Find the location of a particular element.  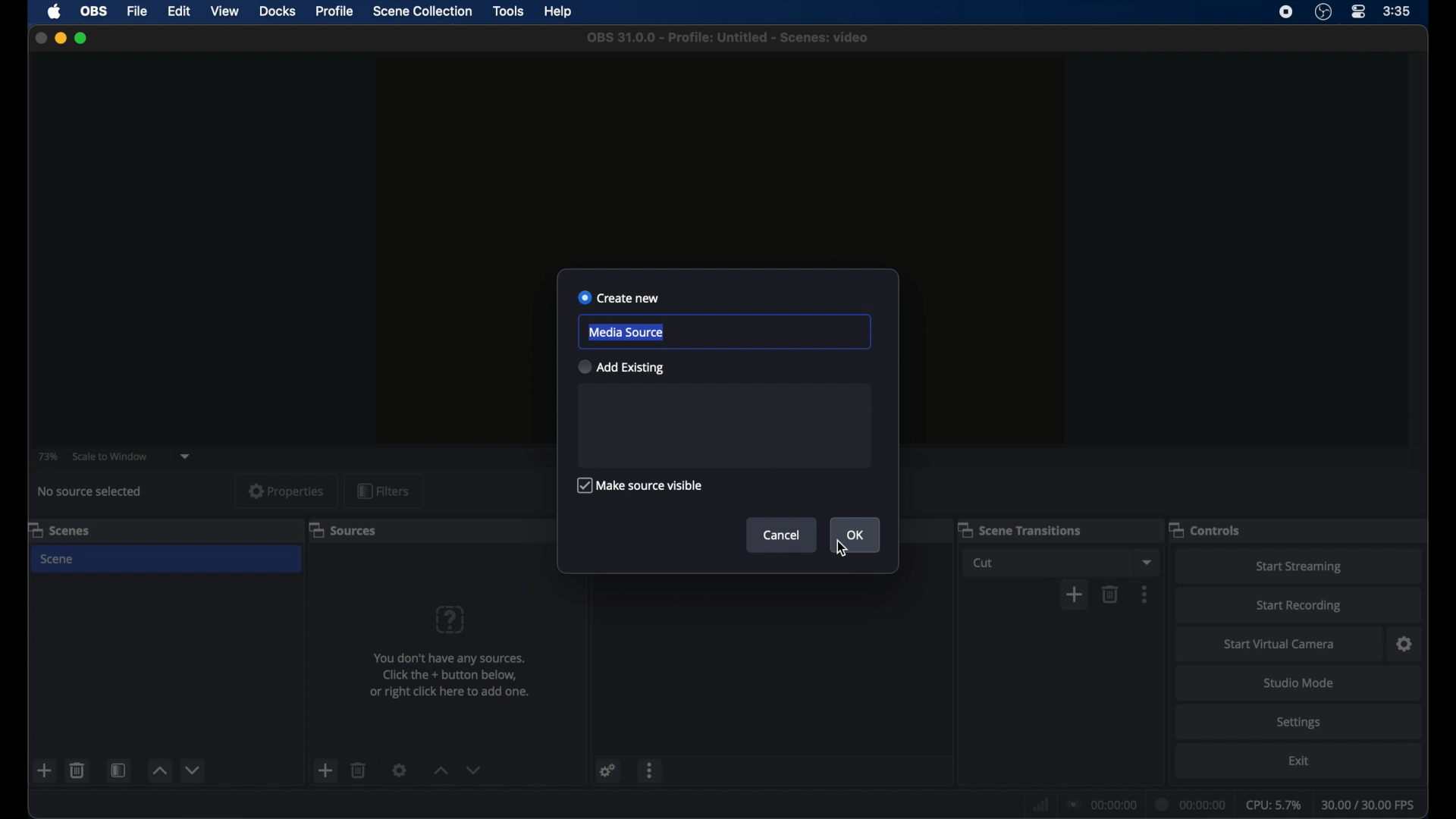

preview is located at coordinates (720, 150).